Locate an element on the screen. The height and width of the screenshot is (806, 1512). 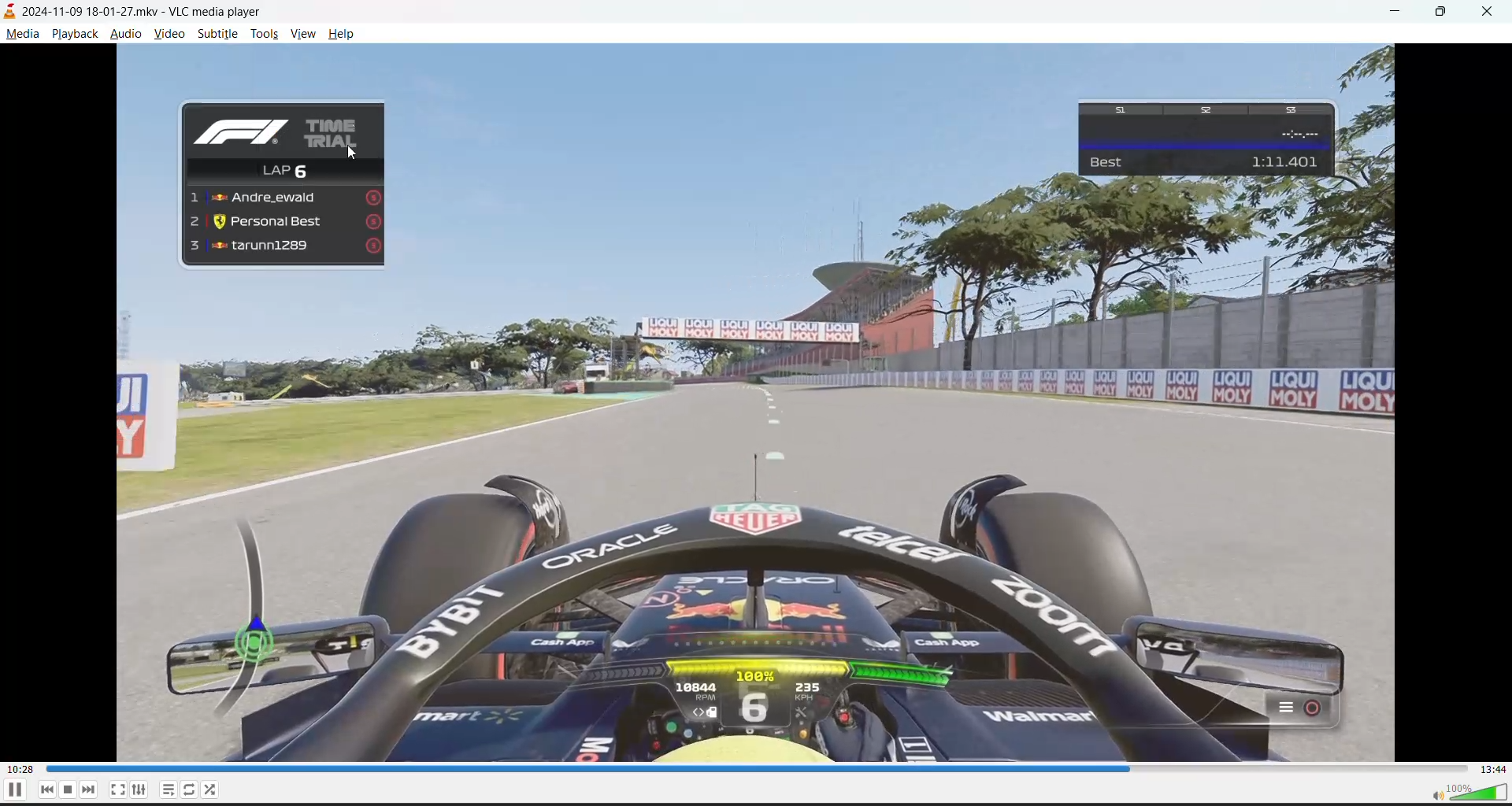
video is located at coordinates (171, 35).